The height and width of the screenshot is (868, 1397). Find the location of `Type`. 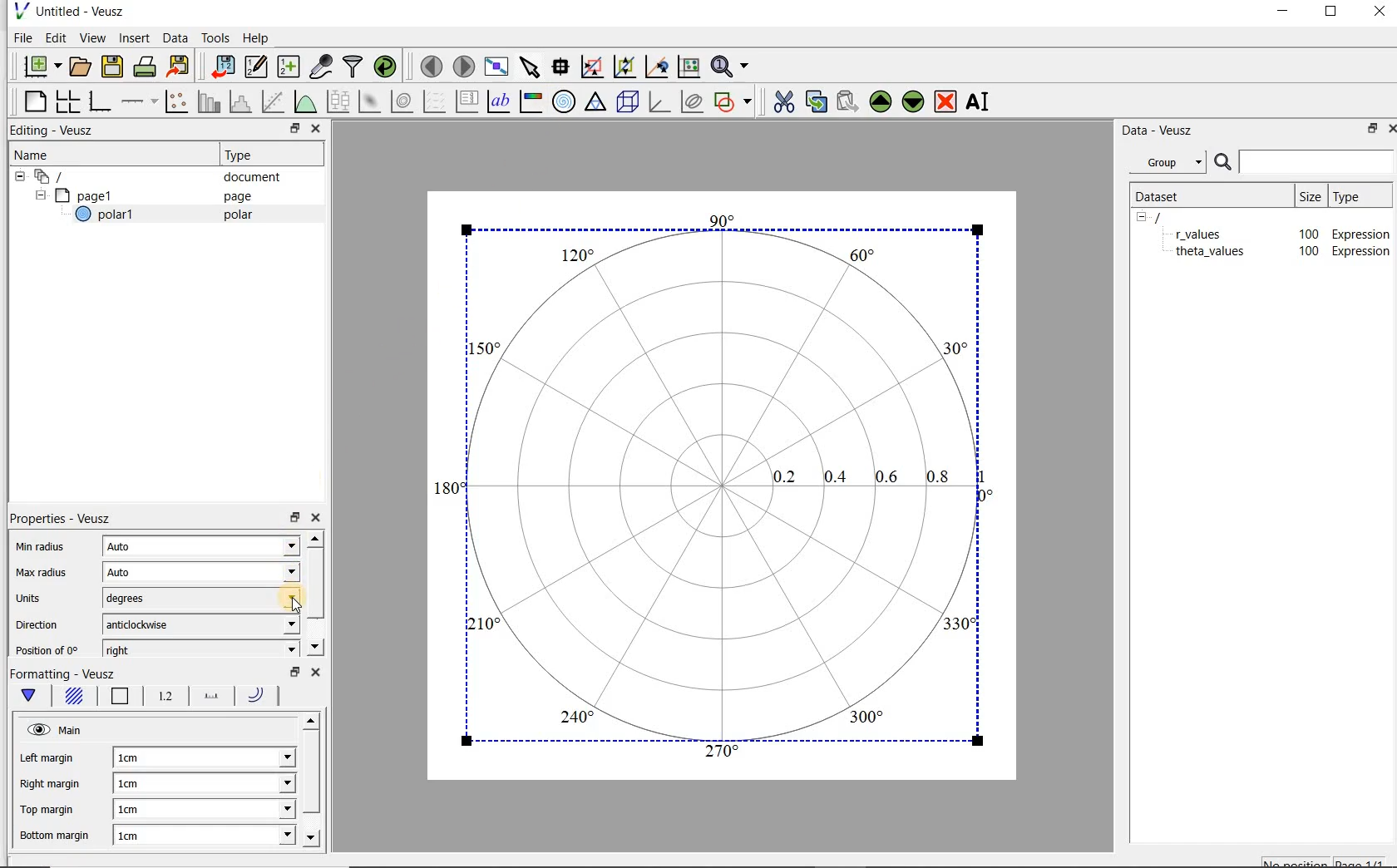

Type is located at coordinates (1358, 195).